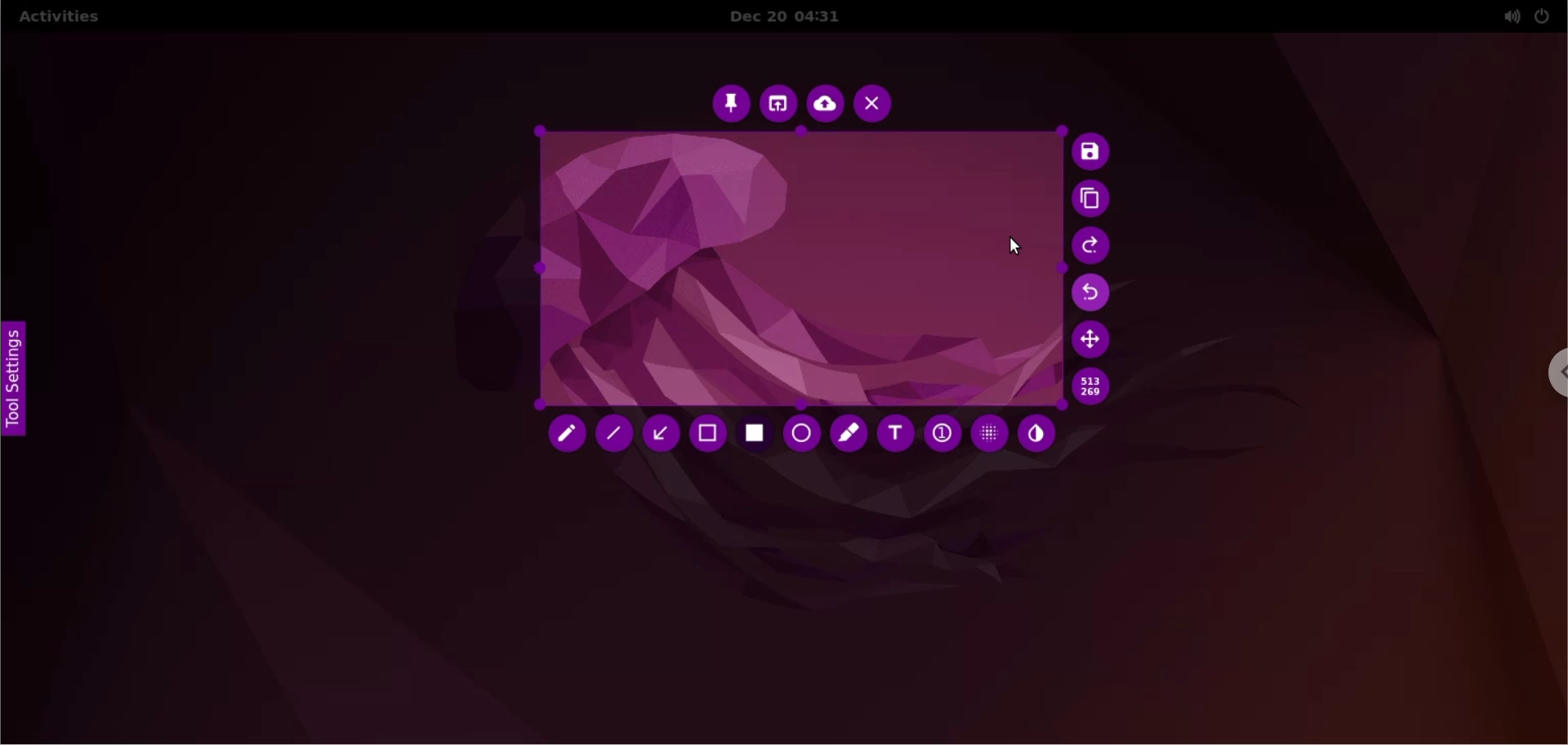  Describe the element at coordinates (1092, 292) in the screenshot. I see `undo` at that location.